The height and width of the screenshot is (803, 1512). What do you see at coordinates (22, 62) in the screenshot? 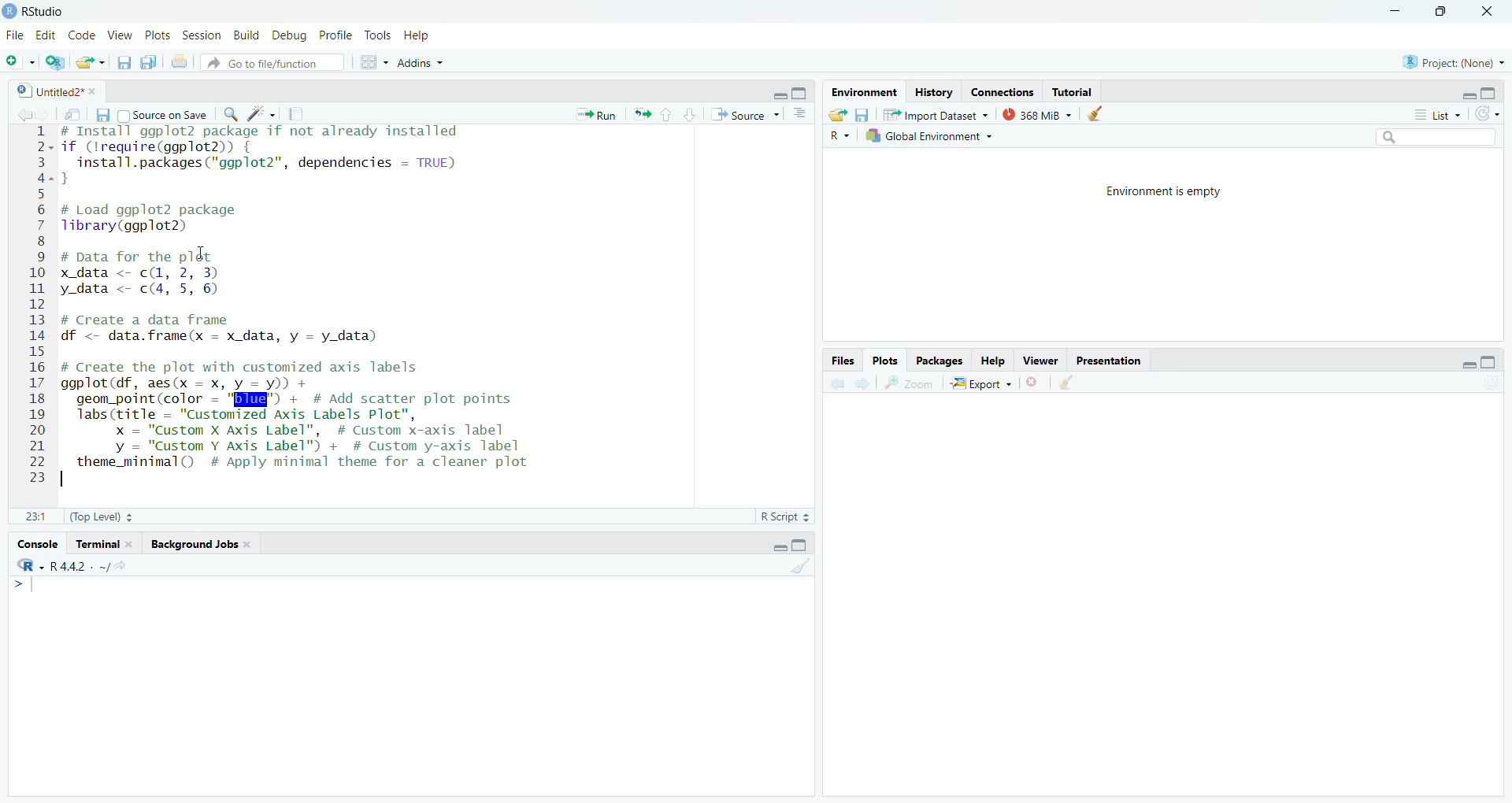
I see `add` at bounding box center [22, 62].